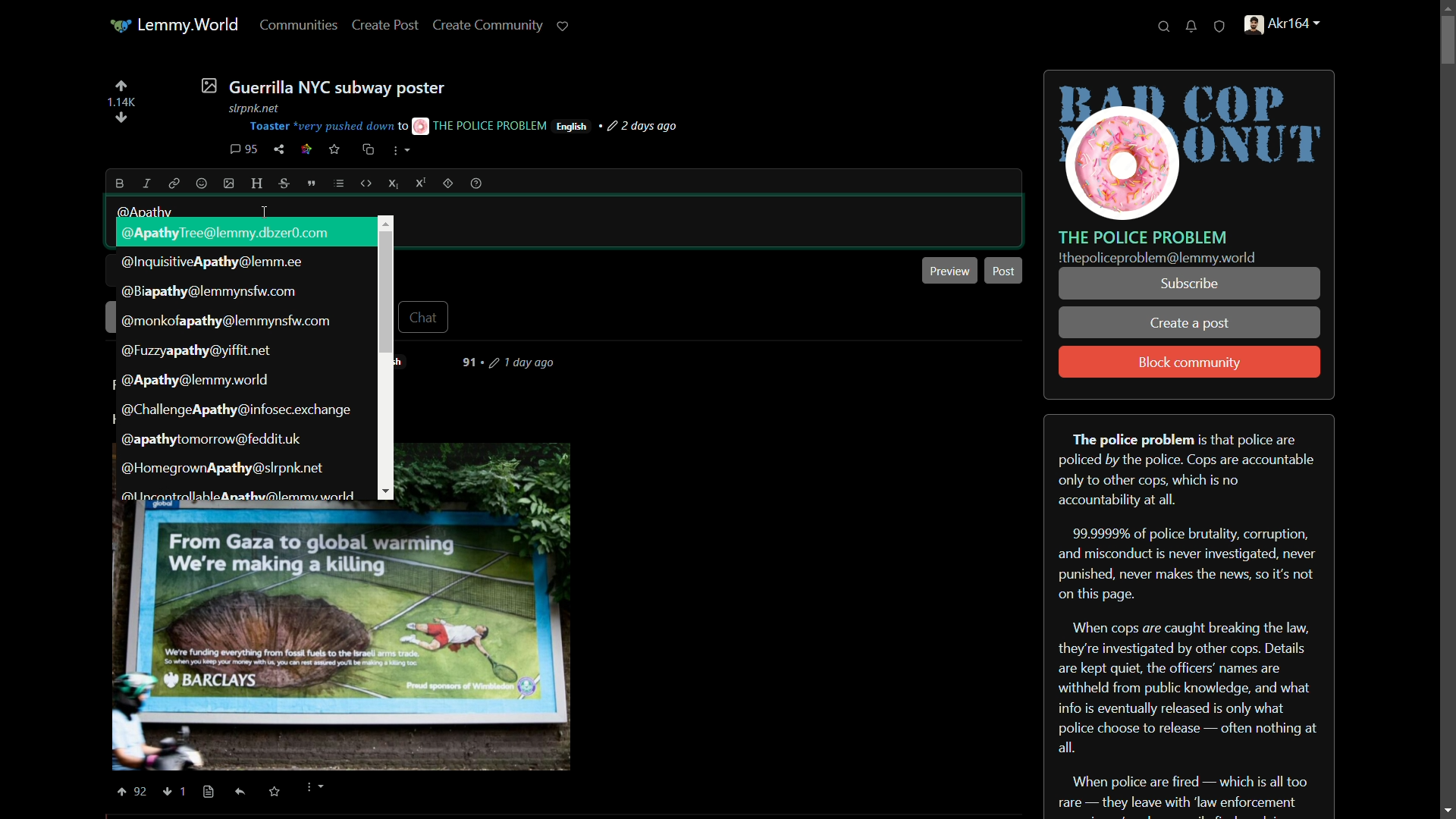 The image size is (1456, 819). I want to click on upvote, so click(121, 86).